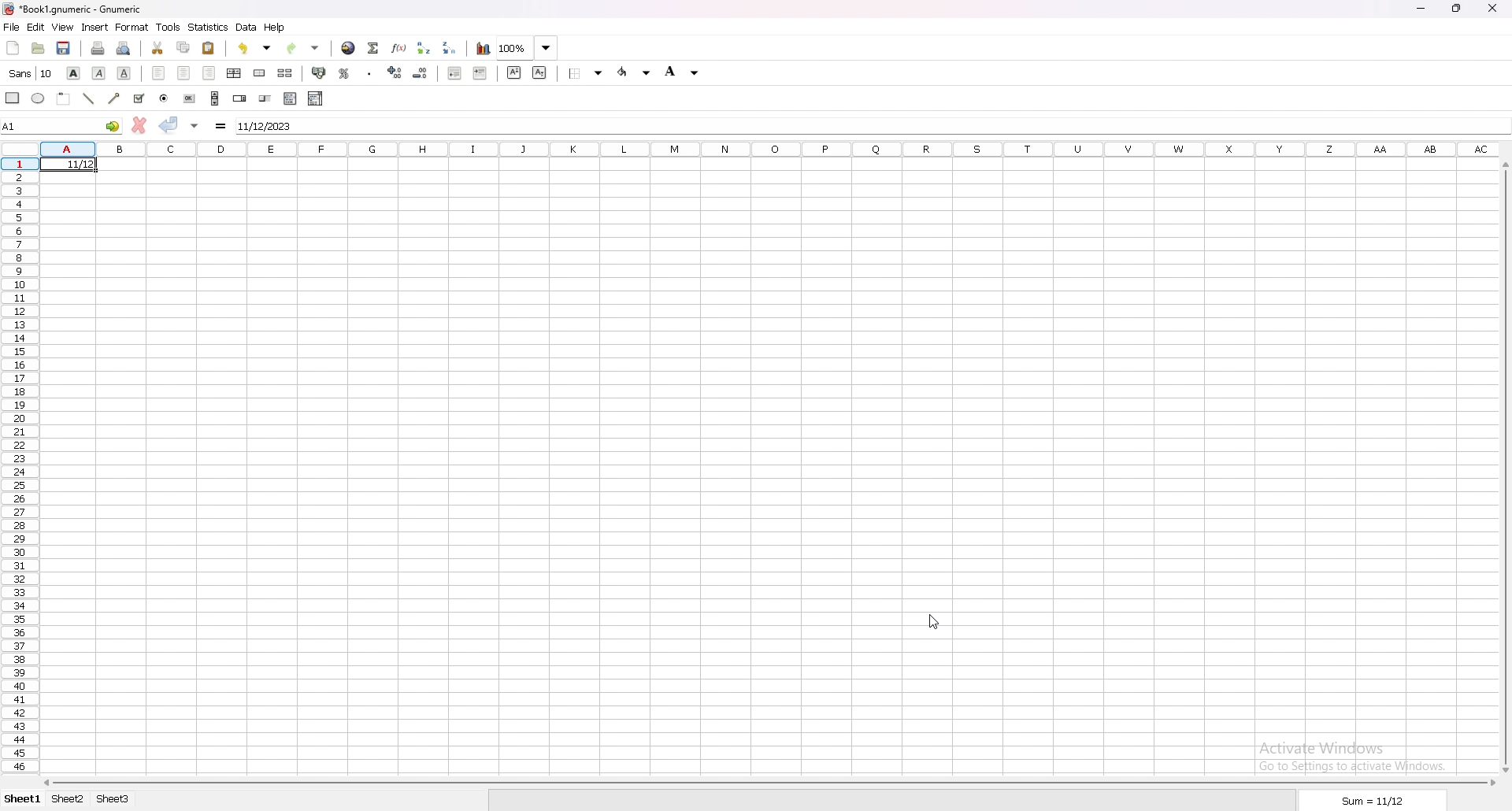 The image size is (1512, 811). Describe the element at coordinates (420, 73) in the screenshot. I see `decrease indent` at that location.